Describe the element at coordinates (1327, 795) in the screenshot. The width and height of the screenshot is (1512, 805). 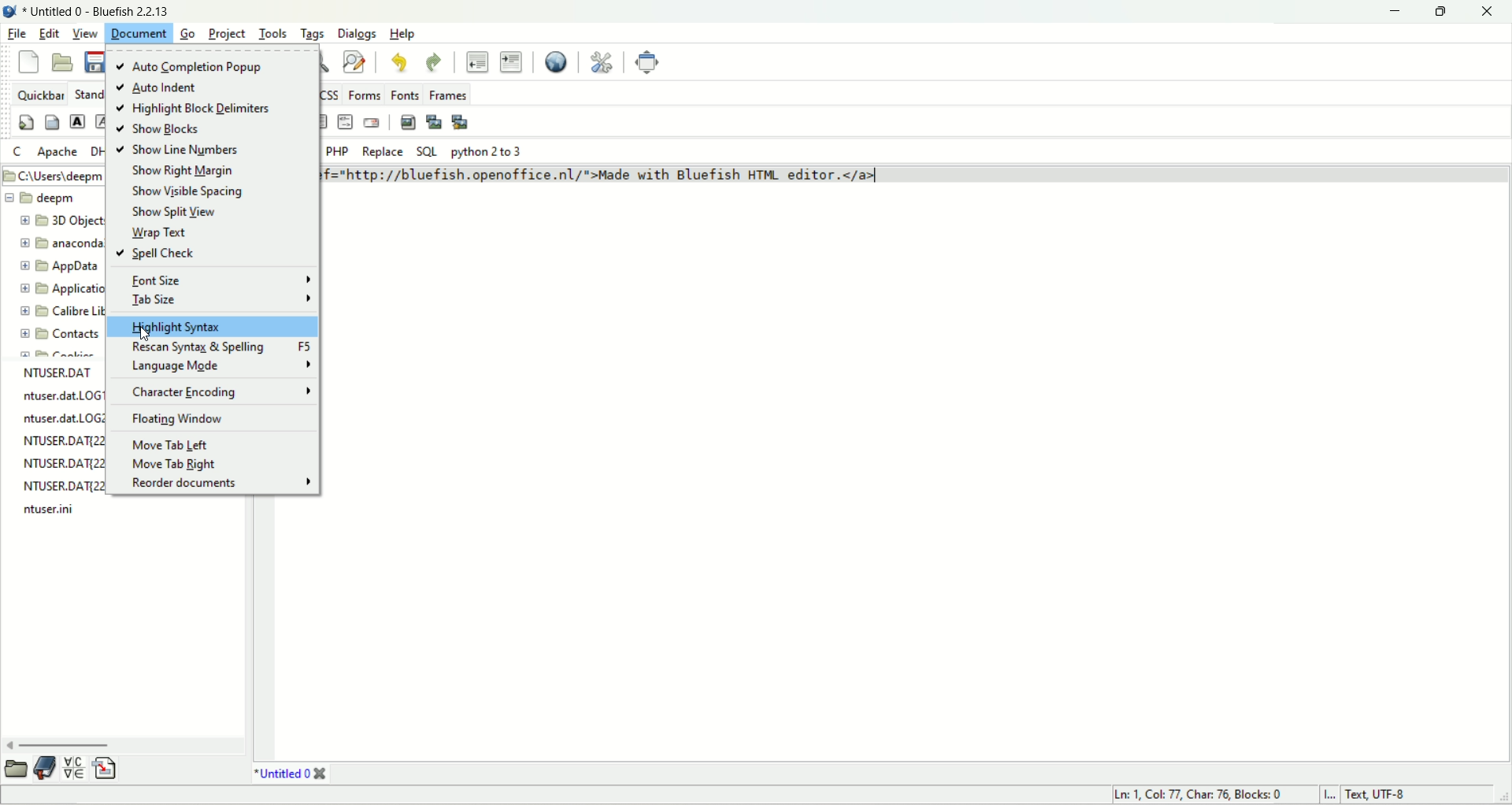
I see `I` at that location.